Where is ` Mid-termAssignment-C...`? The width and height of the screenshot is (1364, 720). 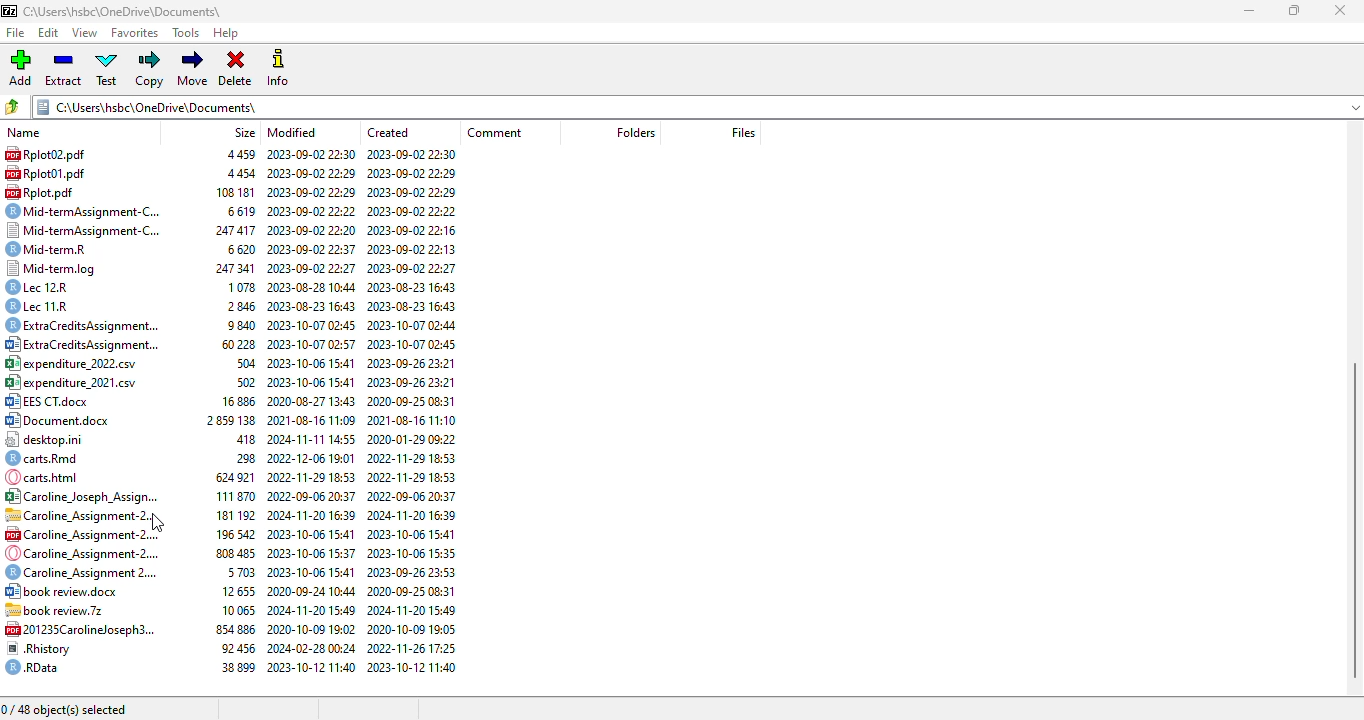
 Mid-termAssignment-C... is located at coordinates (84, 230).